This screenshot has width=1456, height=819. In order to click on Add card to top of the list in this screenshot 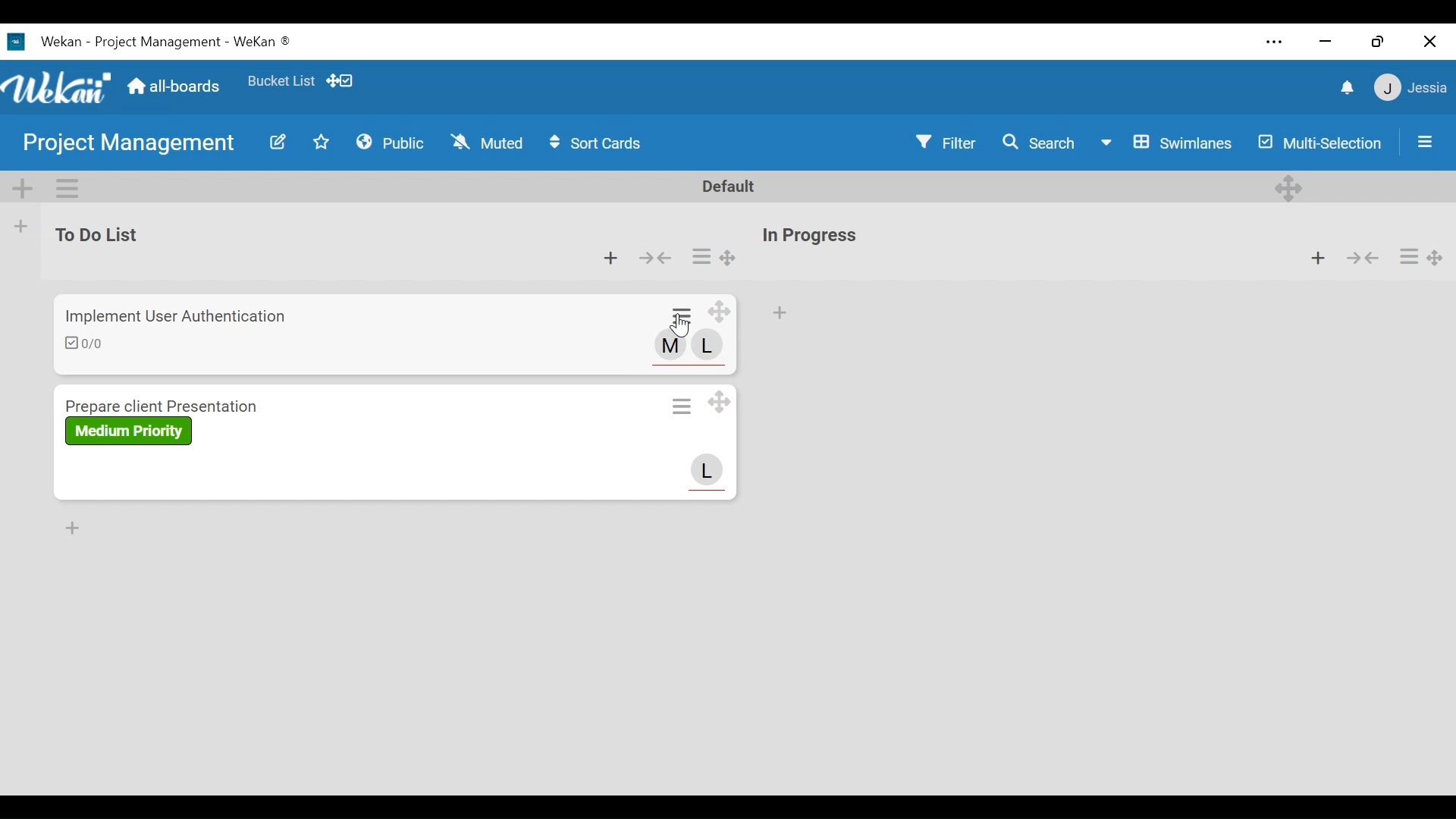, I will do `click(1318, 257)`.